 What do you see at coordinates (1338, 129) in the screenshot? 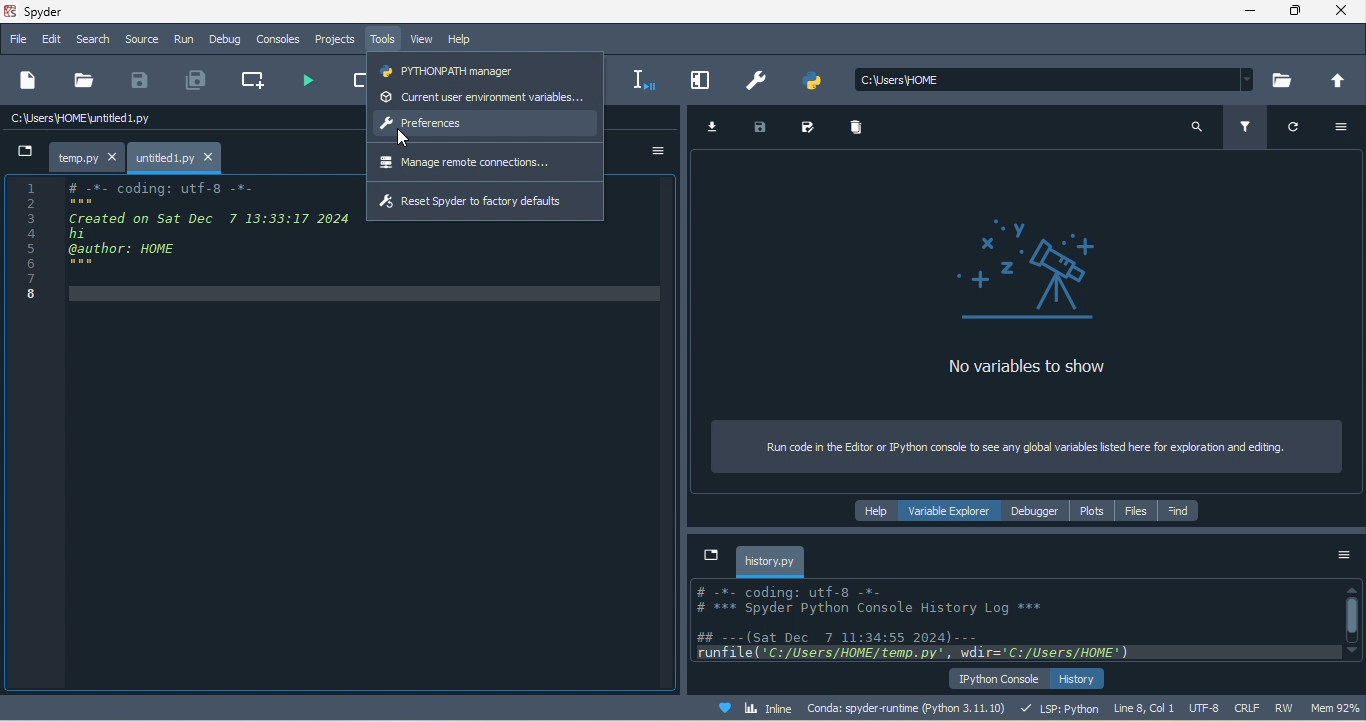
I see `option` at bounding box center [1338, 129].